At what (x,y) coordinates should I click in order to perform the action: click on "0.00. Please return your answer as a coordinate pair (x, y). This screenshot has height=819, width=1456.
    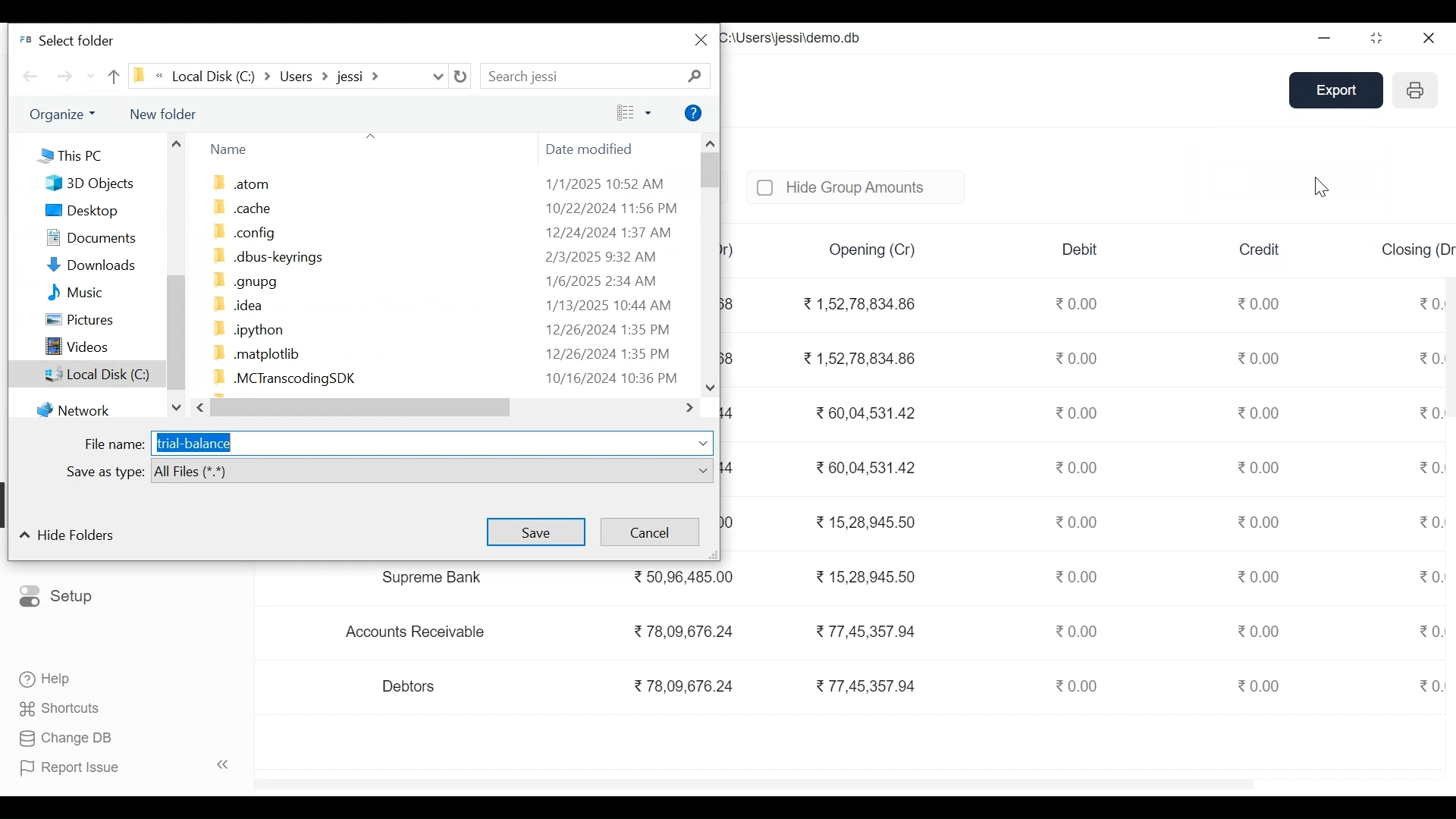
    Looking at the image, I should click on (1430, 301).